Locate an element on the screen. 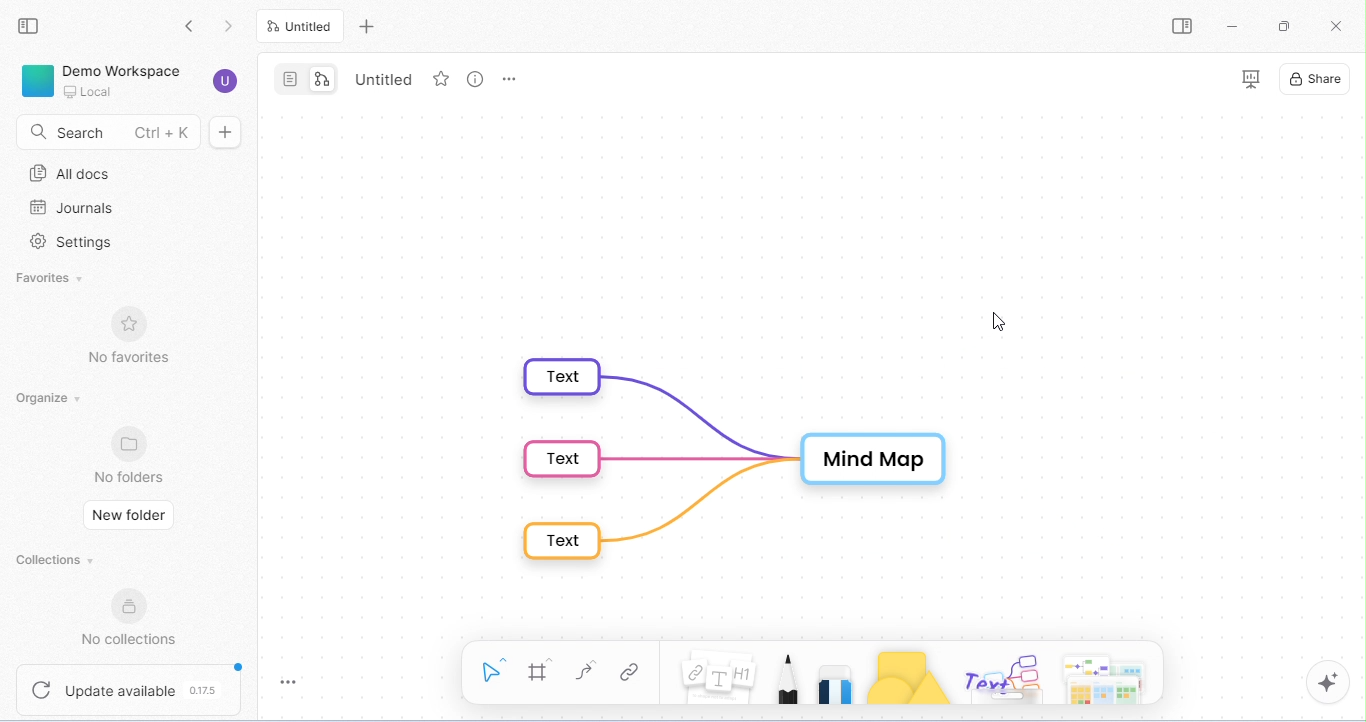 The image size is (1366, 722). open sidebar is located at coordinates (1187, 27).